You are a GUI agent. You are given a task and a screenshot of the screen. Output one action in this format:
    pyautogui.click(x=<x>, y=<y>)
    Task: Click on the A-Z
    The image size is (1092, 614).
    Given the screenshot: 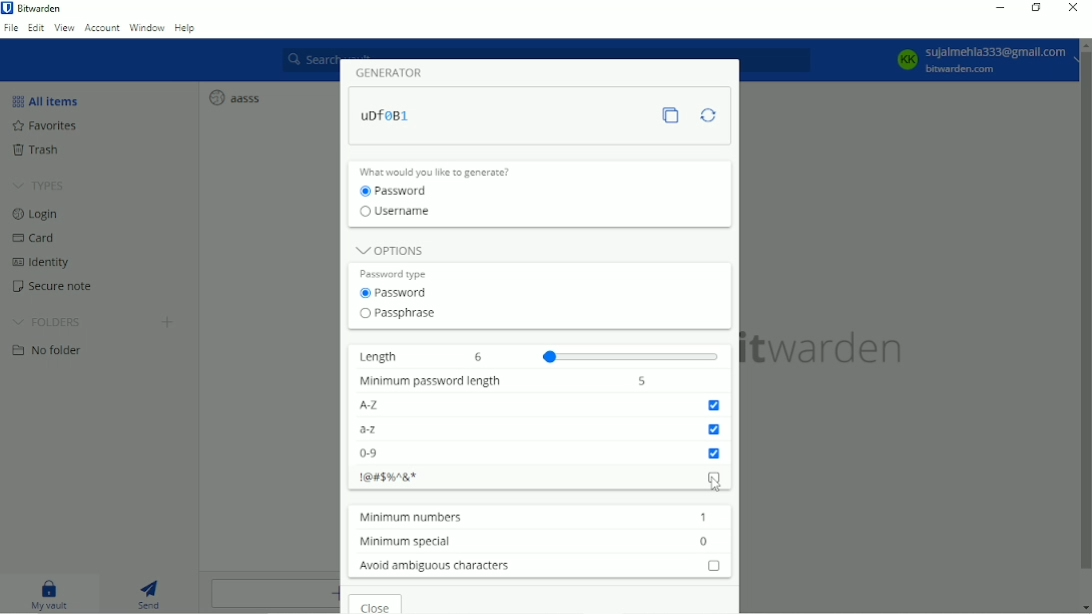 What is the action you would take?
    pyautogui.click(x=386, y=406)
    